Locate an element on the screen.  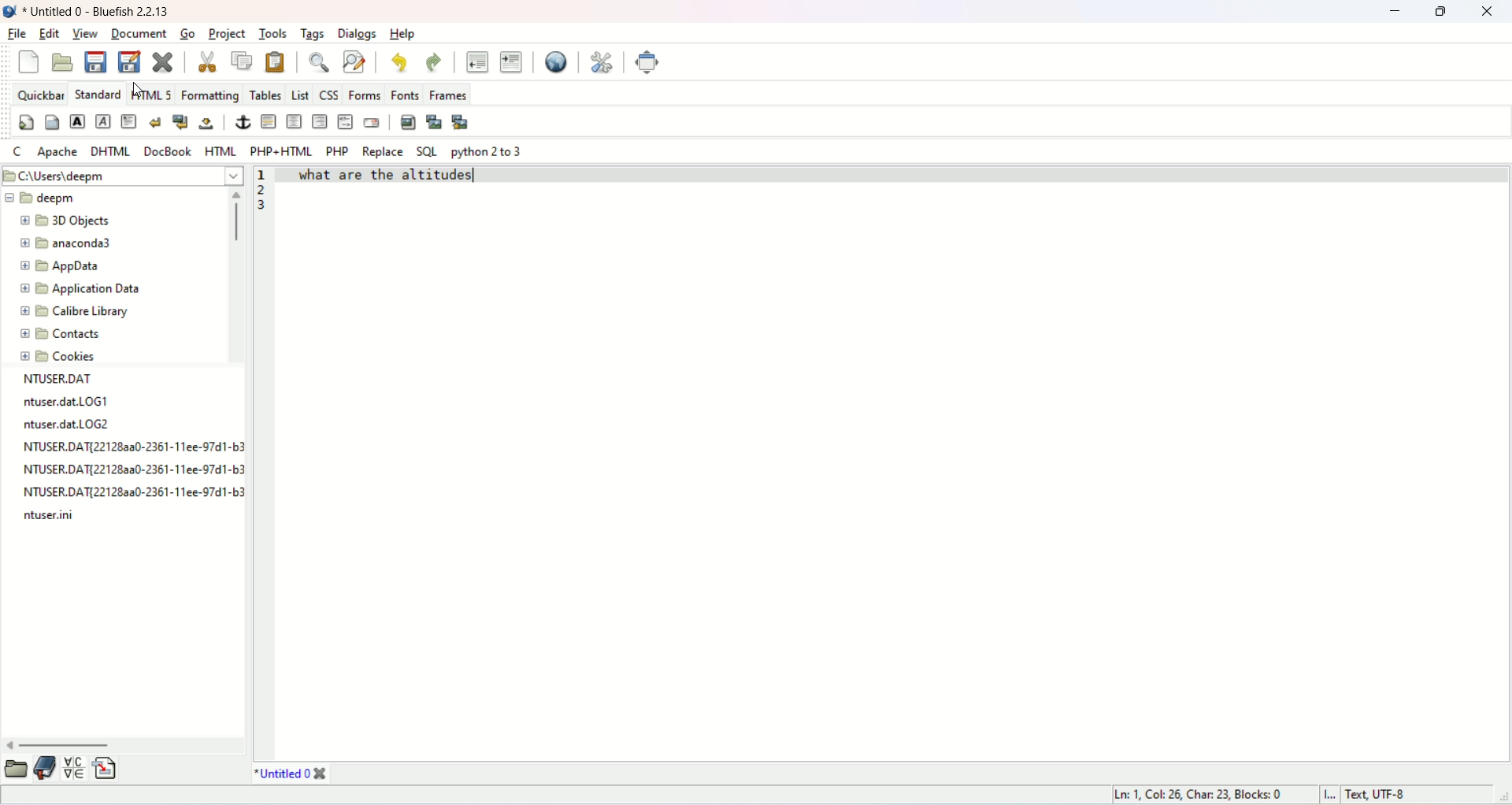
replace is located at coordinates (381, 152).